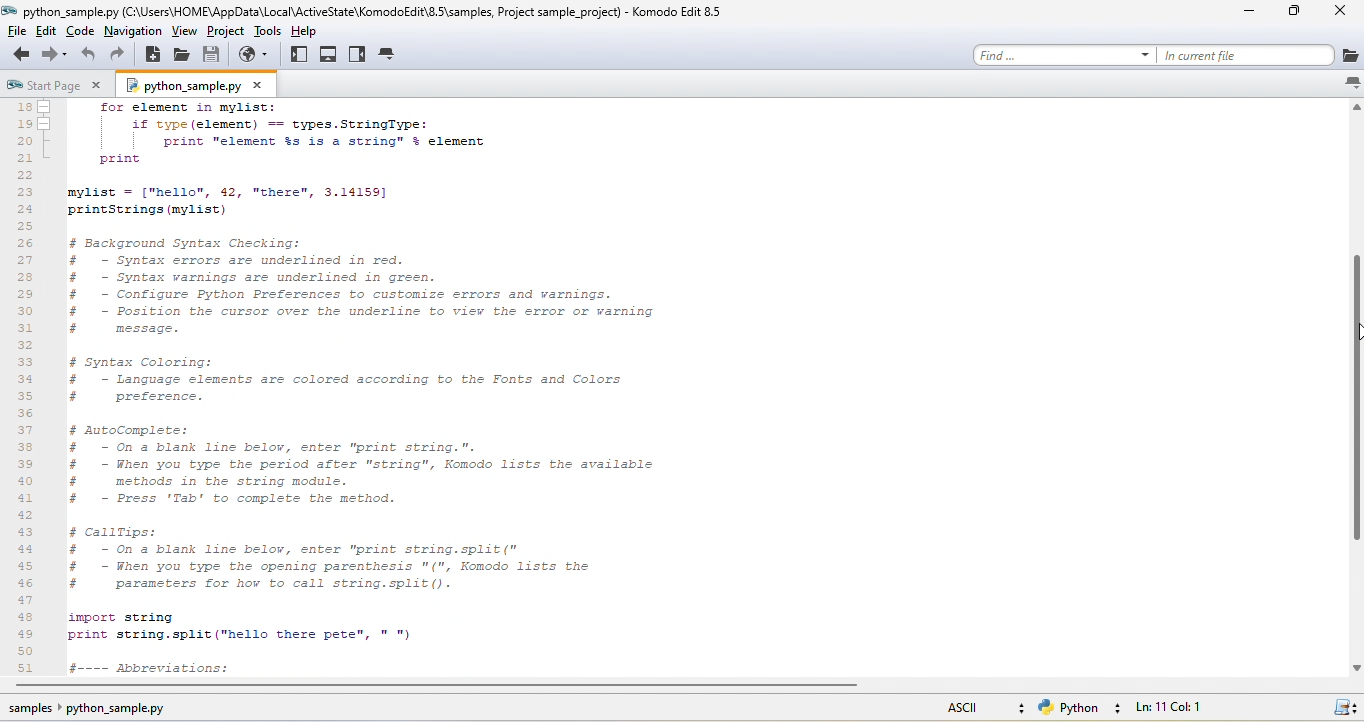  What do you see at coordinates (981, 705) in the screenshot?
I see `ascii` at bounding box center [981, 705].